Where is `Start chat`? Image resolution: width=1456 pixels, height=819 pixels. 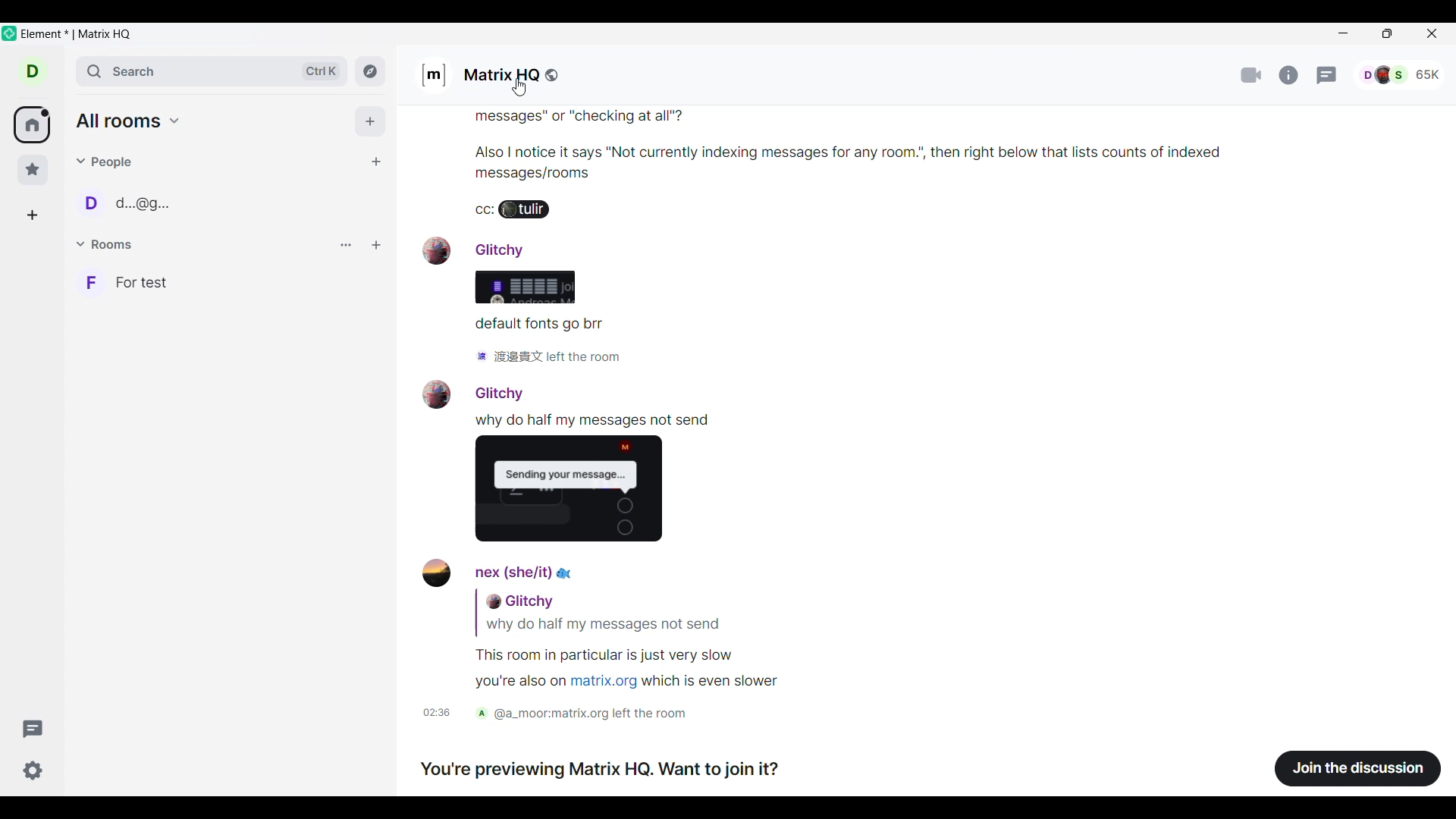
Start chat is located at coordinates (377, 162).